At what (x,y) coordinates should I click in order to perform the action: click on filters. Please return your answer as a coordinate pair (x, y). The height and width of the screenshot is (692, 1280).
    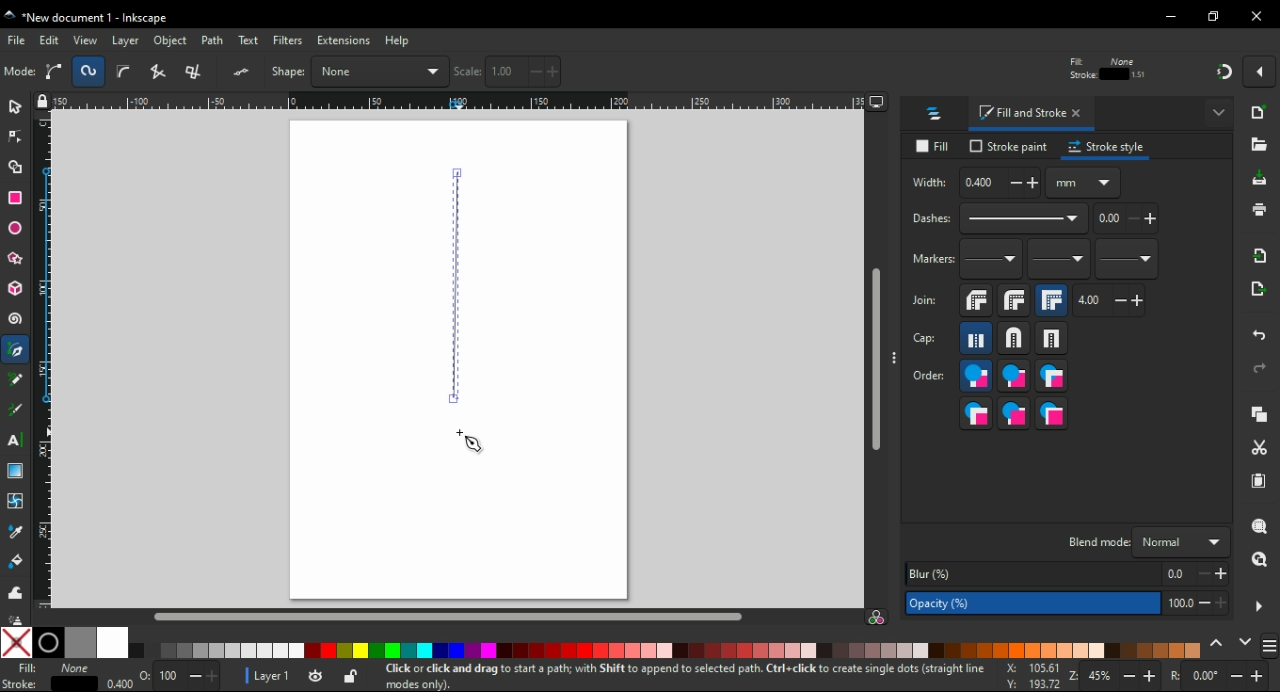
    Looking at the image, I should click on (289, 42).